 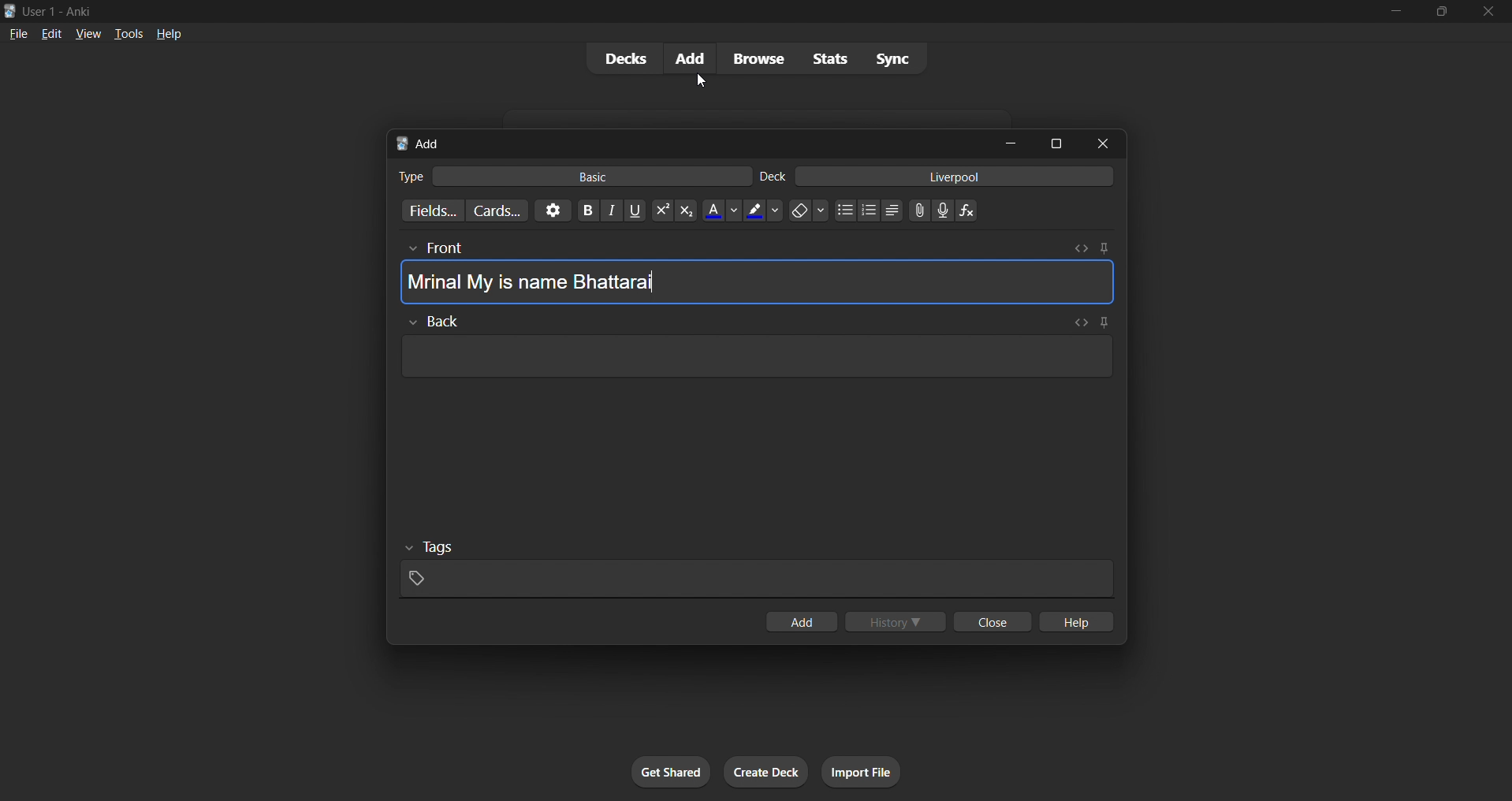 What do you see at coordinates (498, 210) in the screenshot?
I see `customize card templates` at bounding box center [498, 210].